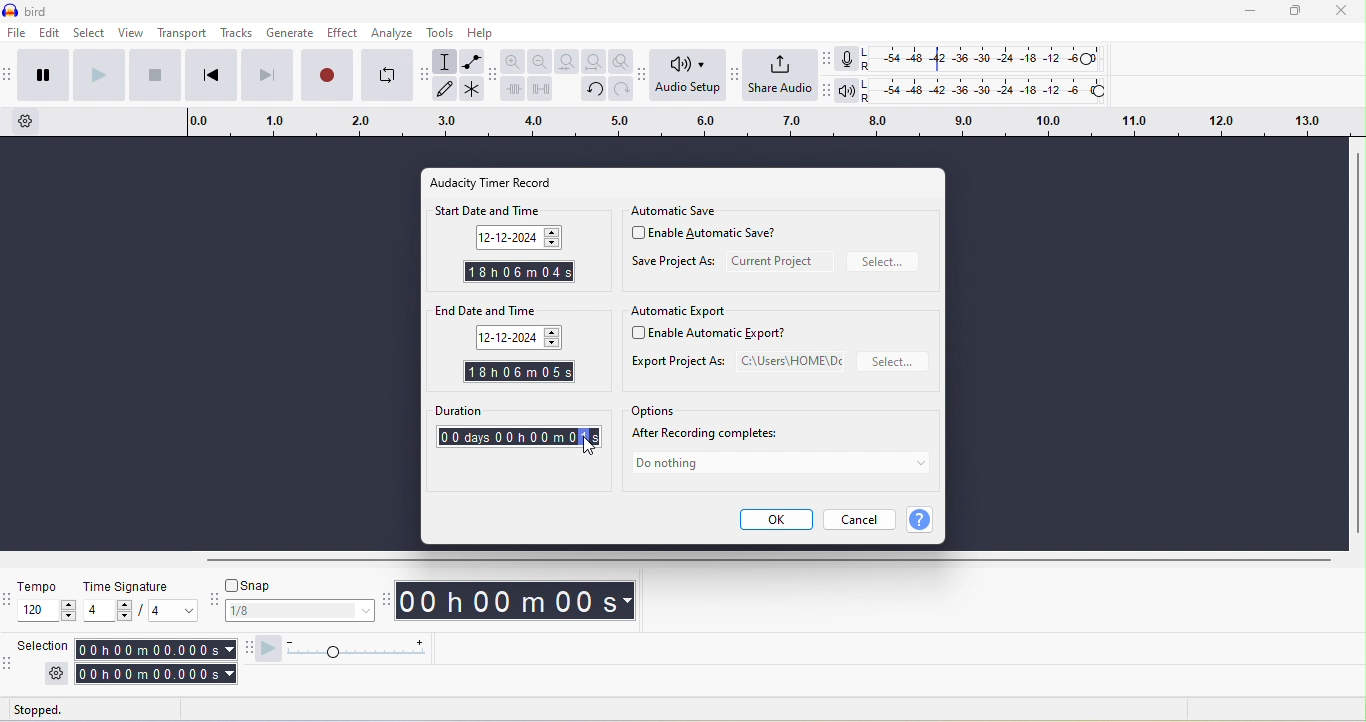 This screenshot has width=1366, height=722. I want to click on stopped, so click(50, 710).